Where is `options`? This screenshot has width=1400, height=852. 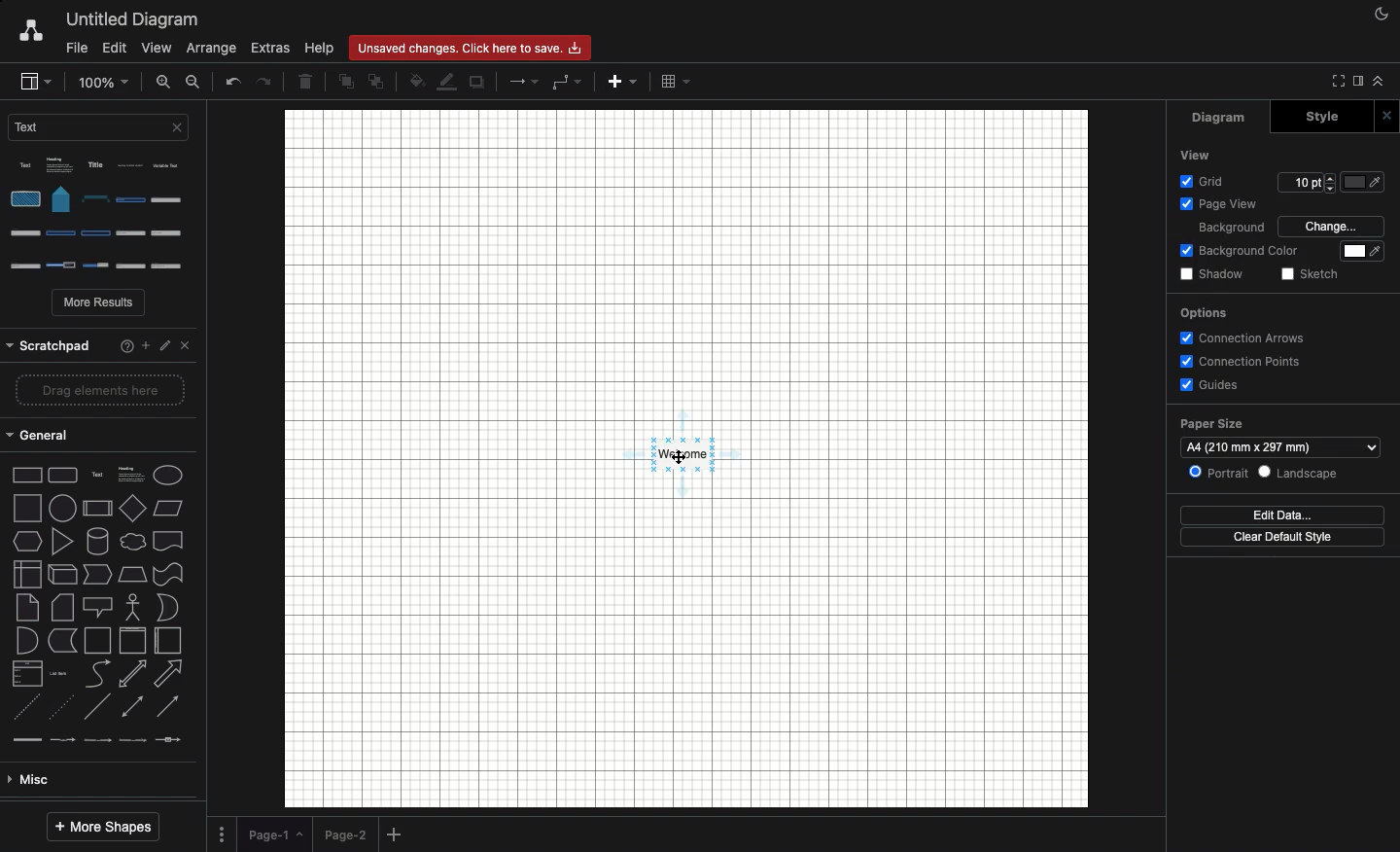 options is located at coordinates (1243, 307).